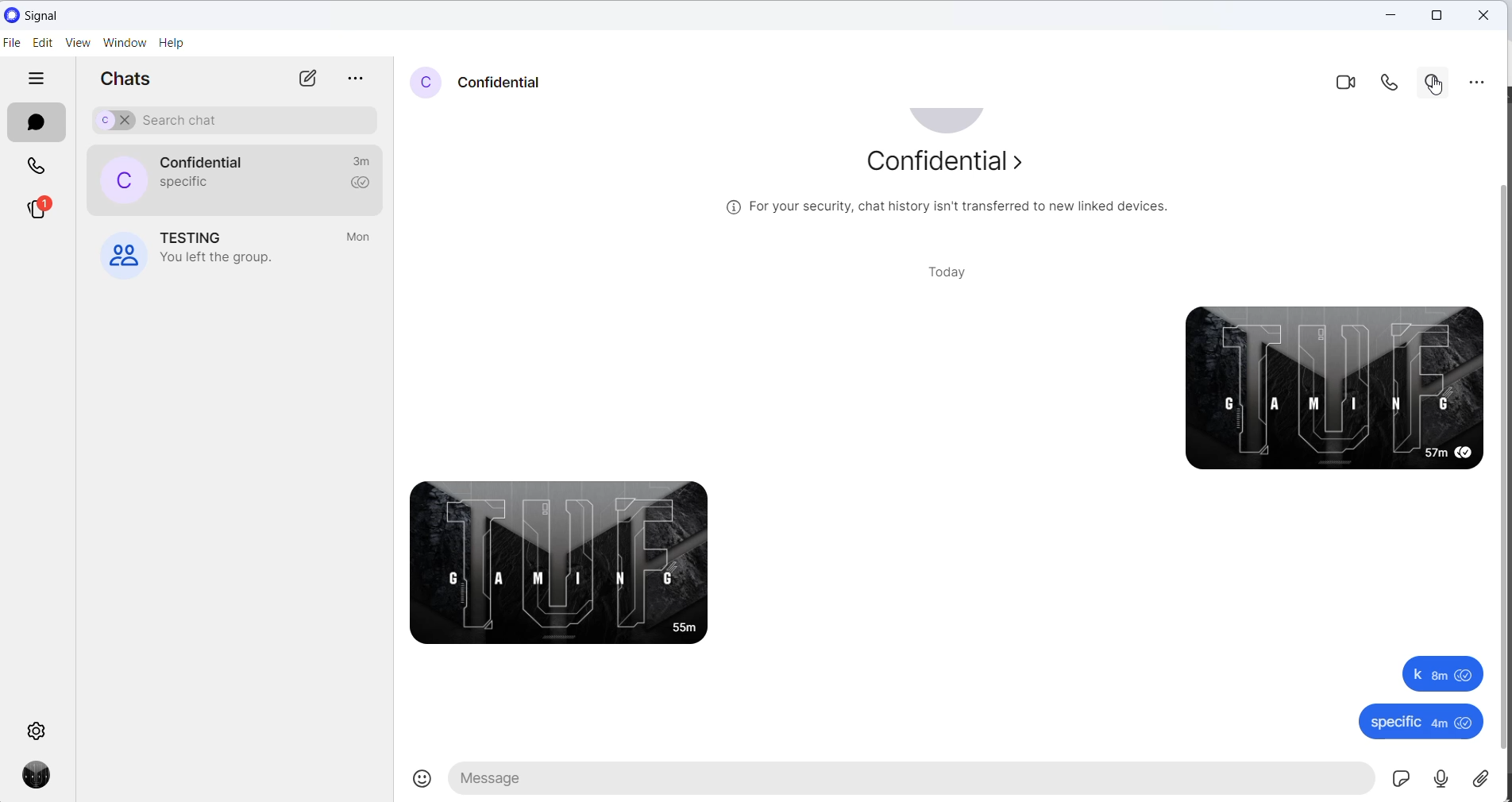 The height and width of the screenshot is (802, 1512). What do you see at coordinates (1409, 721) in the screenshot?
I see `specific` at bounding box center [1409, 721].